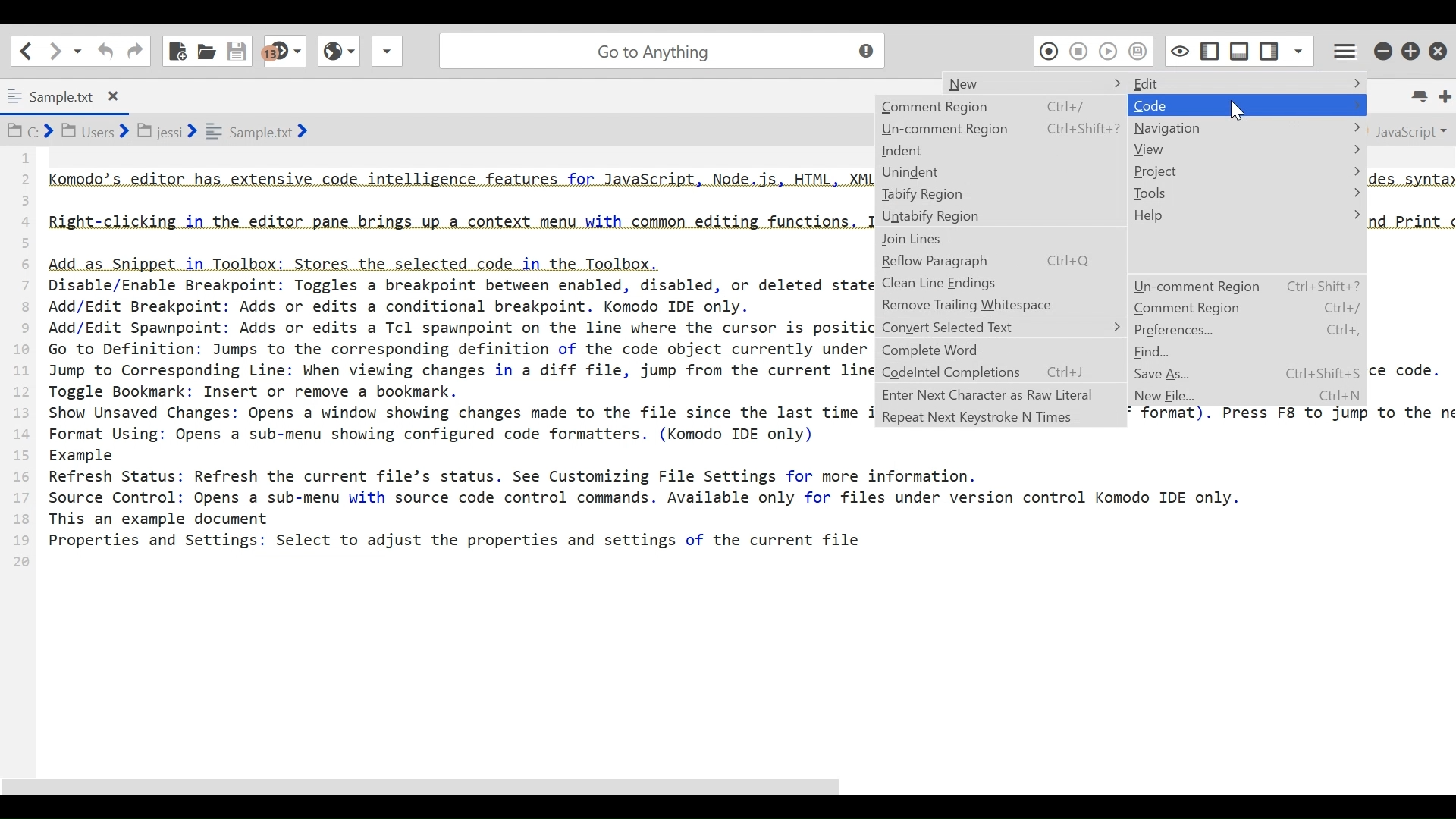  What do you see at coordinates (438, 453) in the screenshot?
I see `Text Entry Pane` at bounding box center [438, 453].